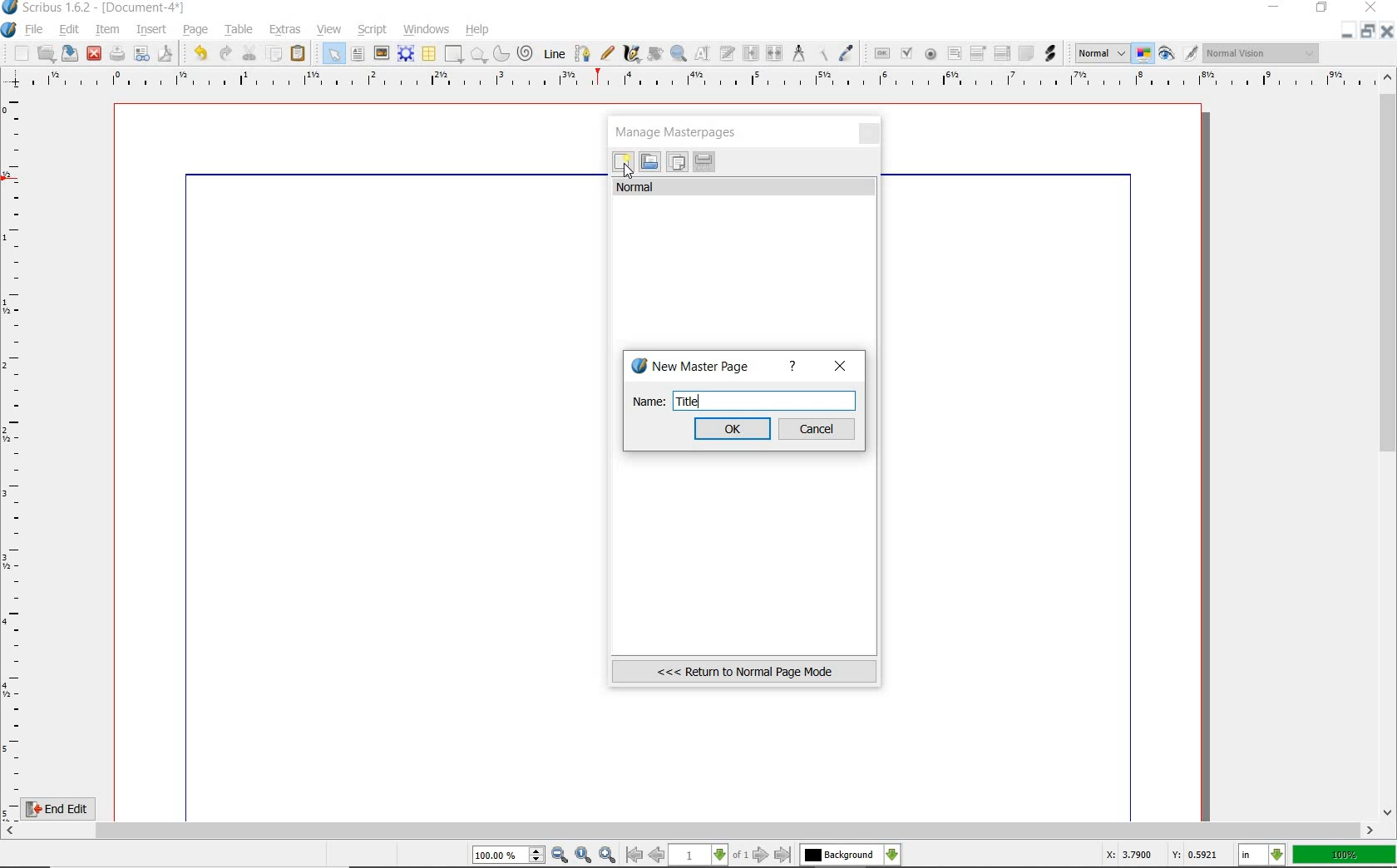 Image resolution: width=1397 pixels, height=868 pixels. Describe the element at coordinates (681, 131) in the screenshot. I see `manage masterpages` at that location.